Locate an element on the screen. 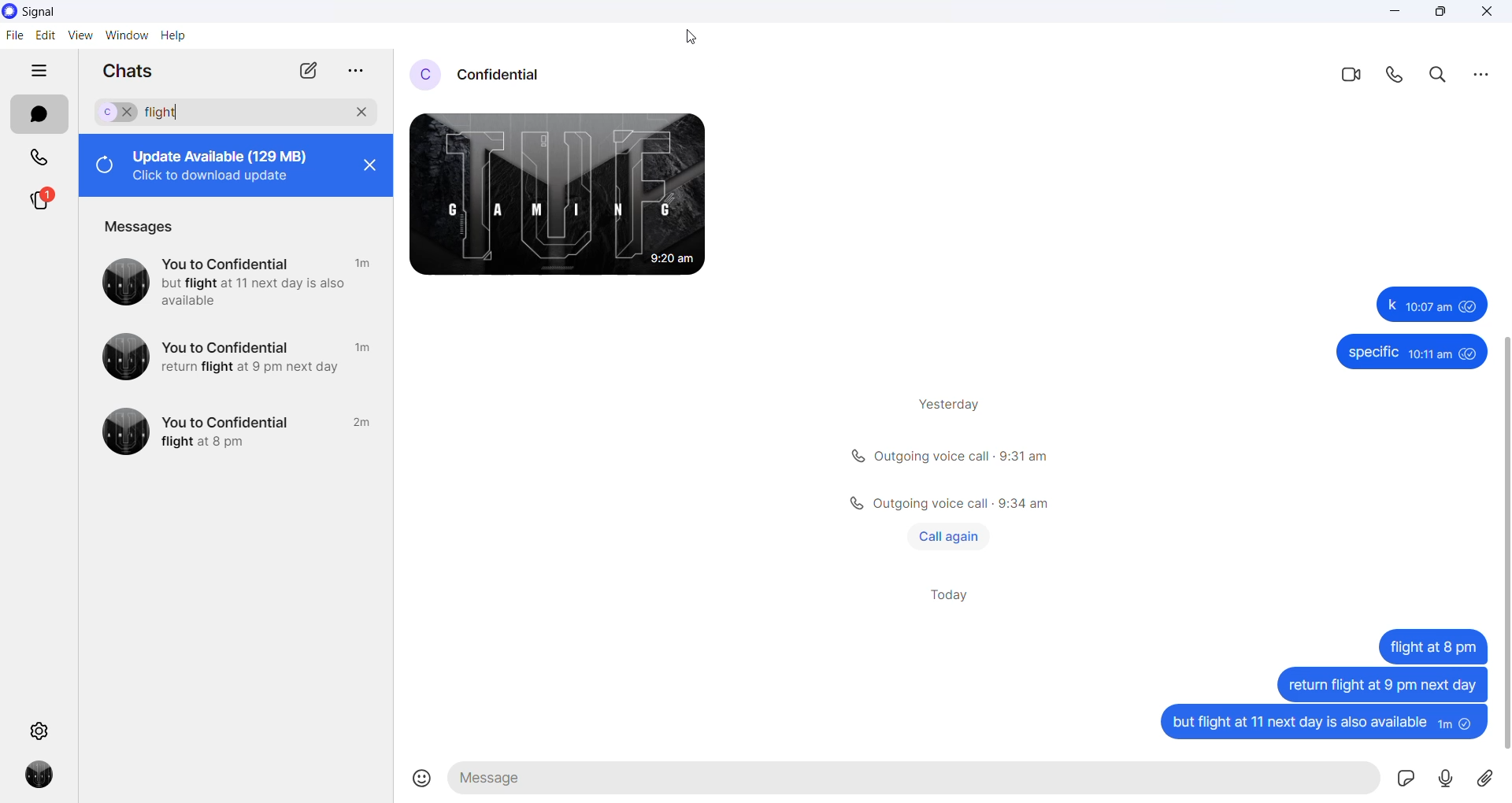 The image size is (1512, 803).  is located at coordinates (1380, 683).